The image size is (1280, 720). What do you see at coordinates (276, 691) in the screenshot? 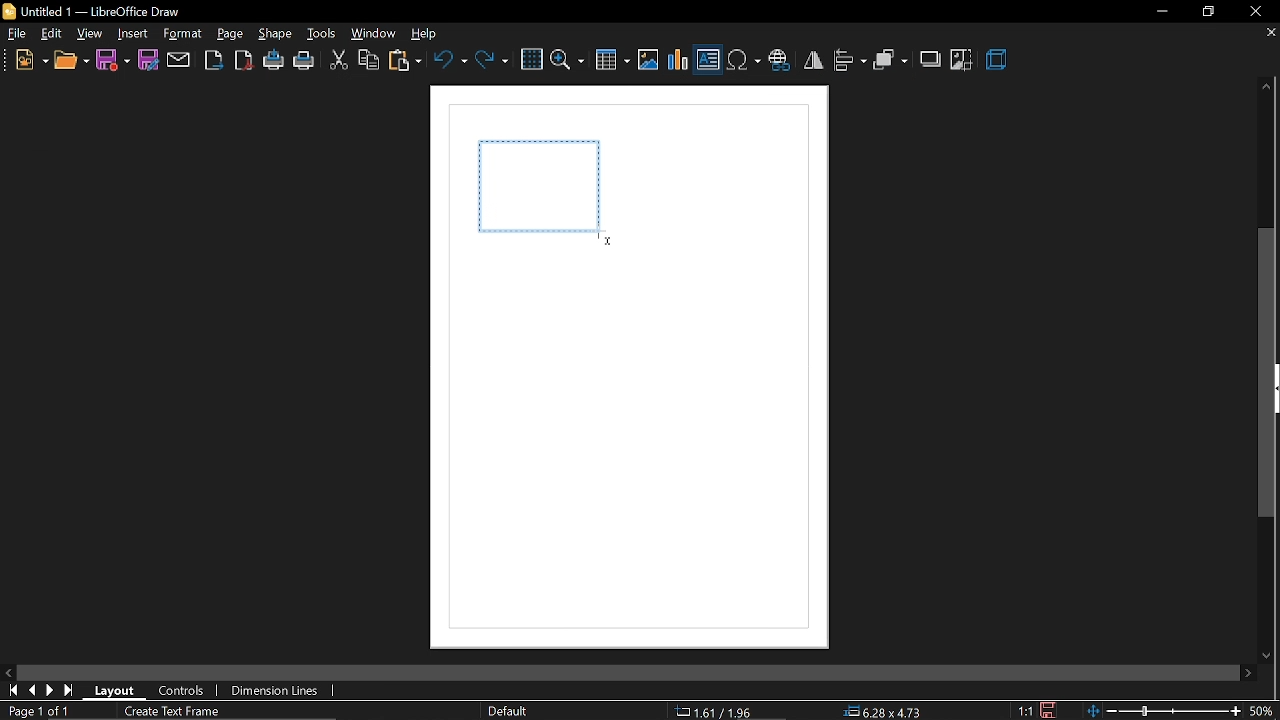
I see `dimension lines` at bounding box center [276, 691].